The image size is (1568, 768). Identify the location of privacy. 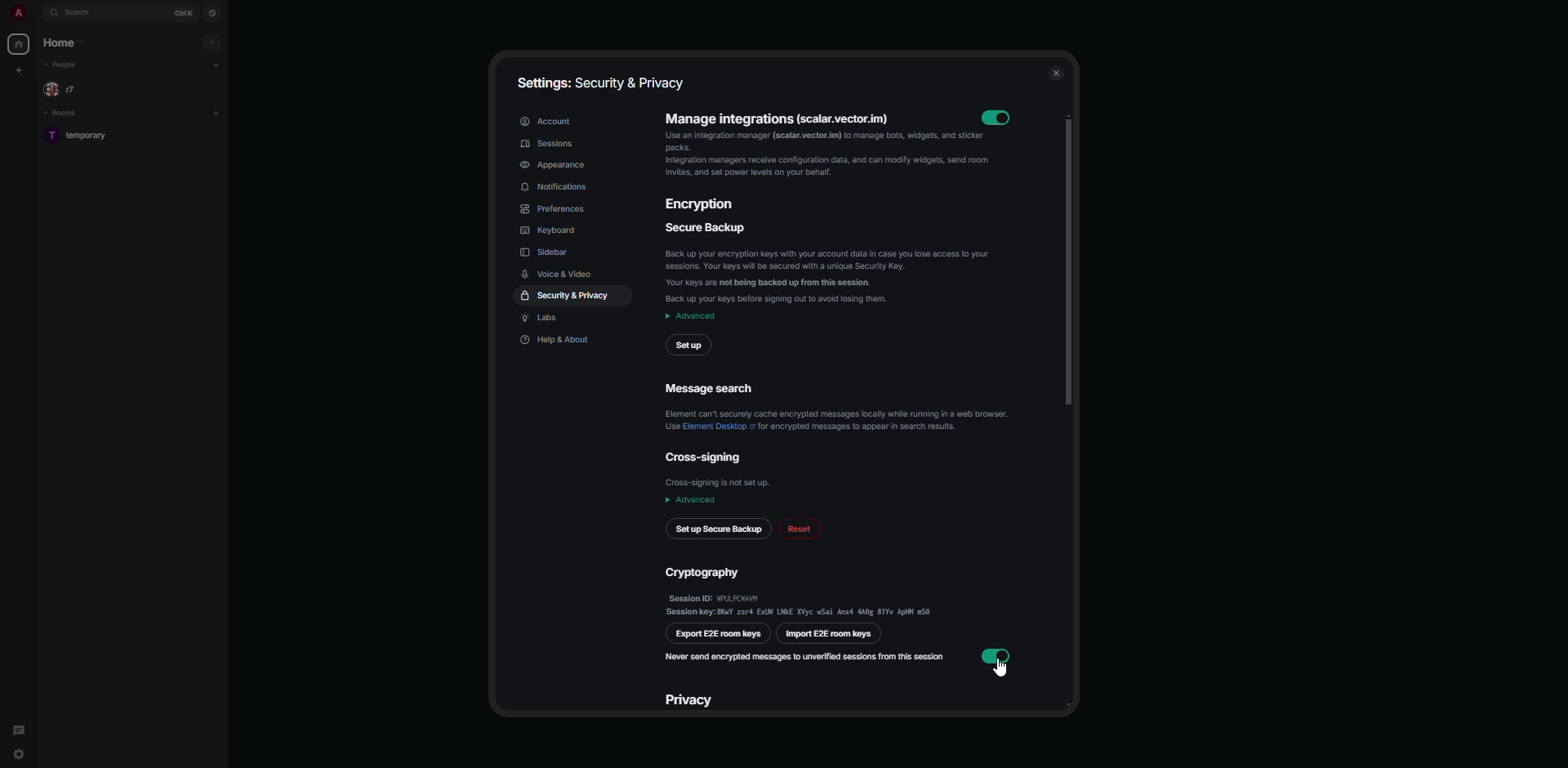
(693, 699).